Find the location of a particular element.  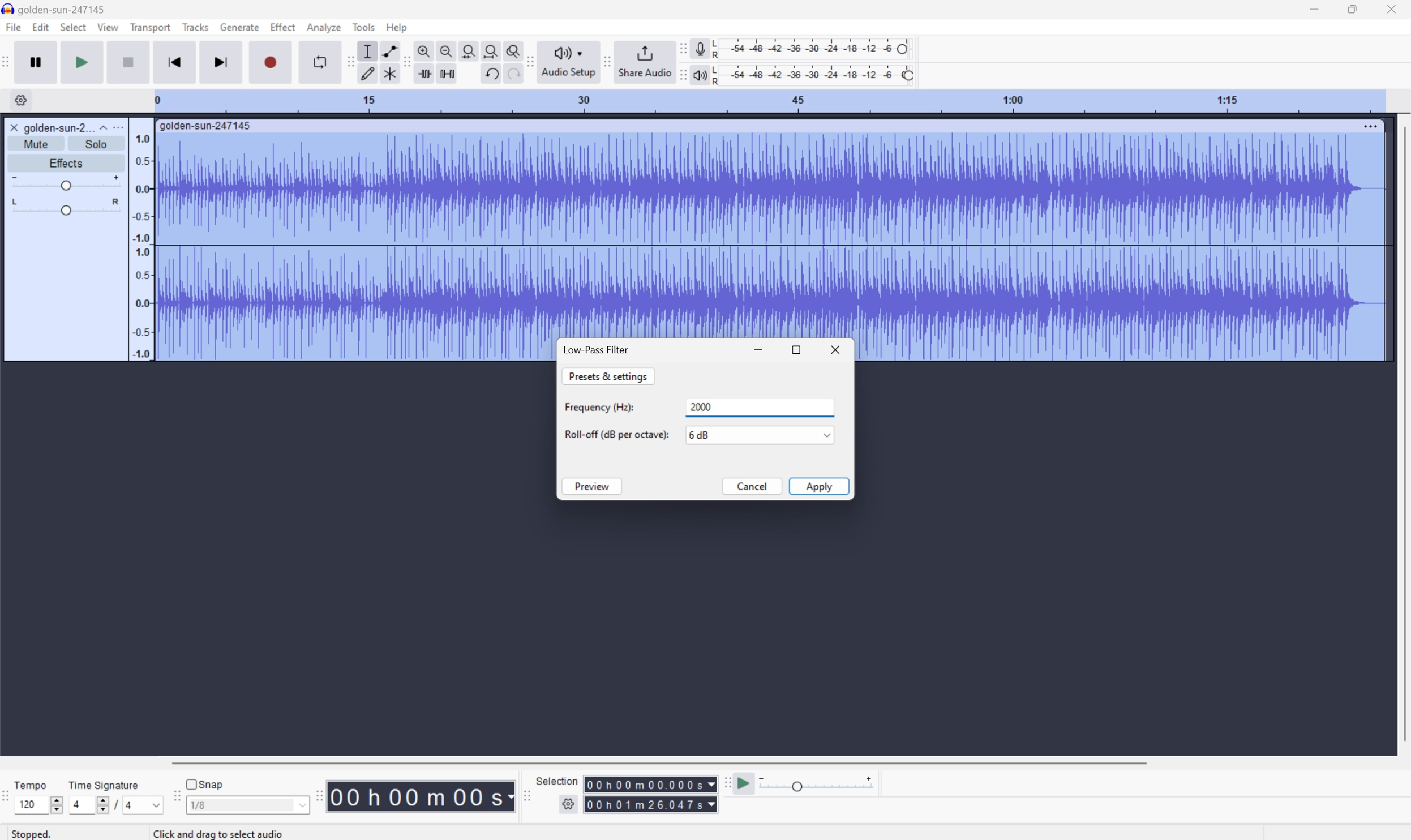

Stop is located at coordinates (129, 62).